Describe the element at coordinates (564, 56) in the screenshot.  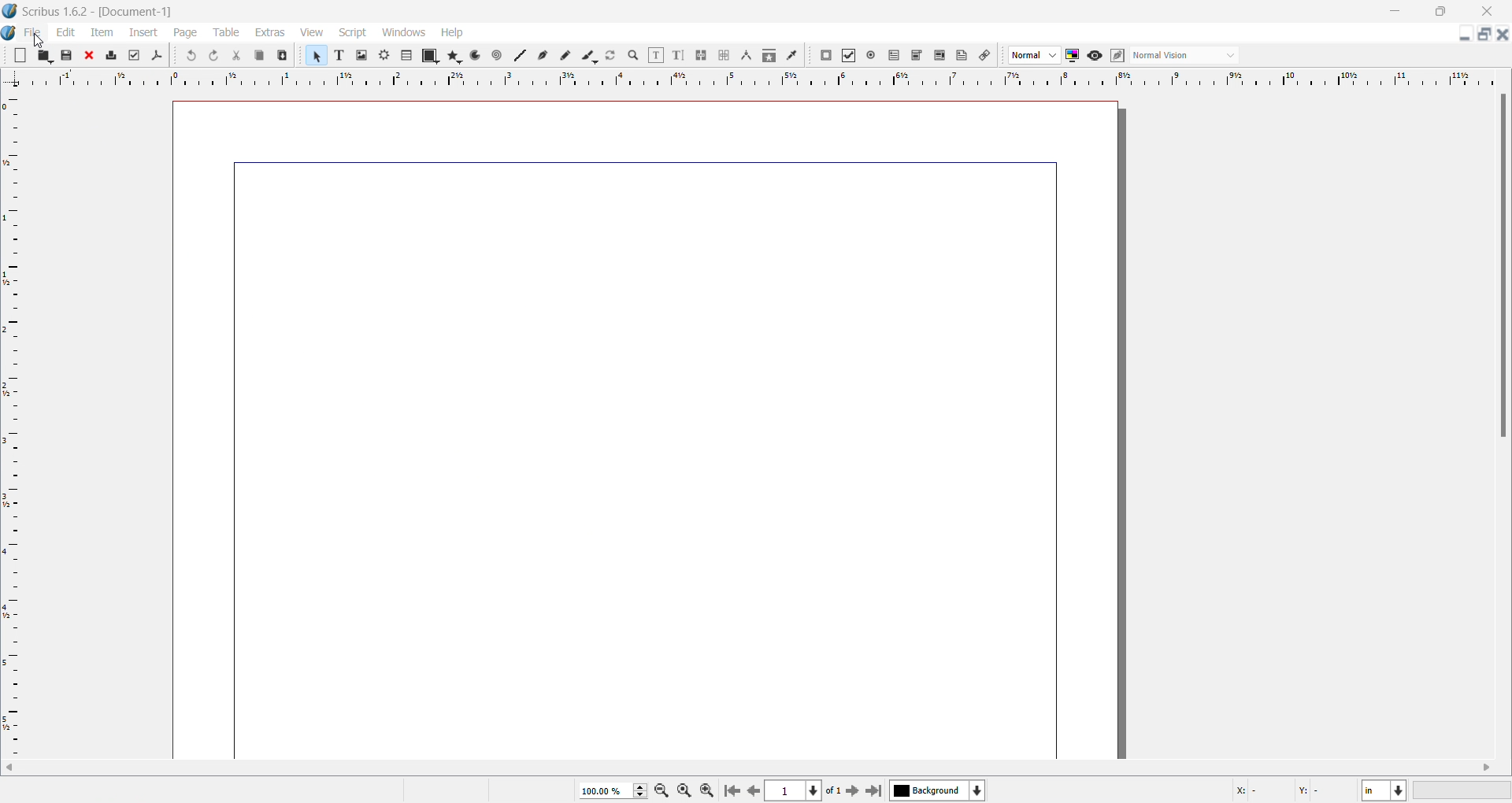
I see `icon` at that location.